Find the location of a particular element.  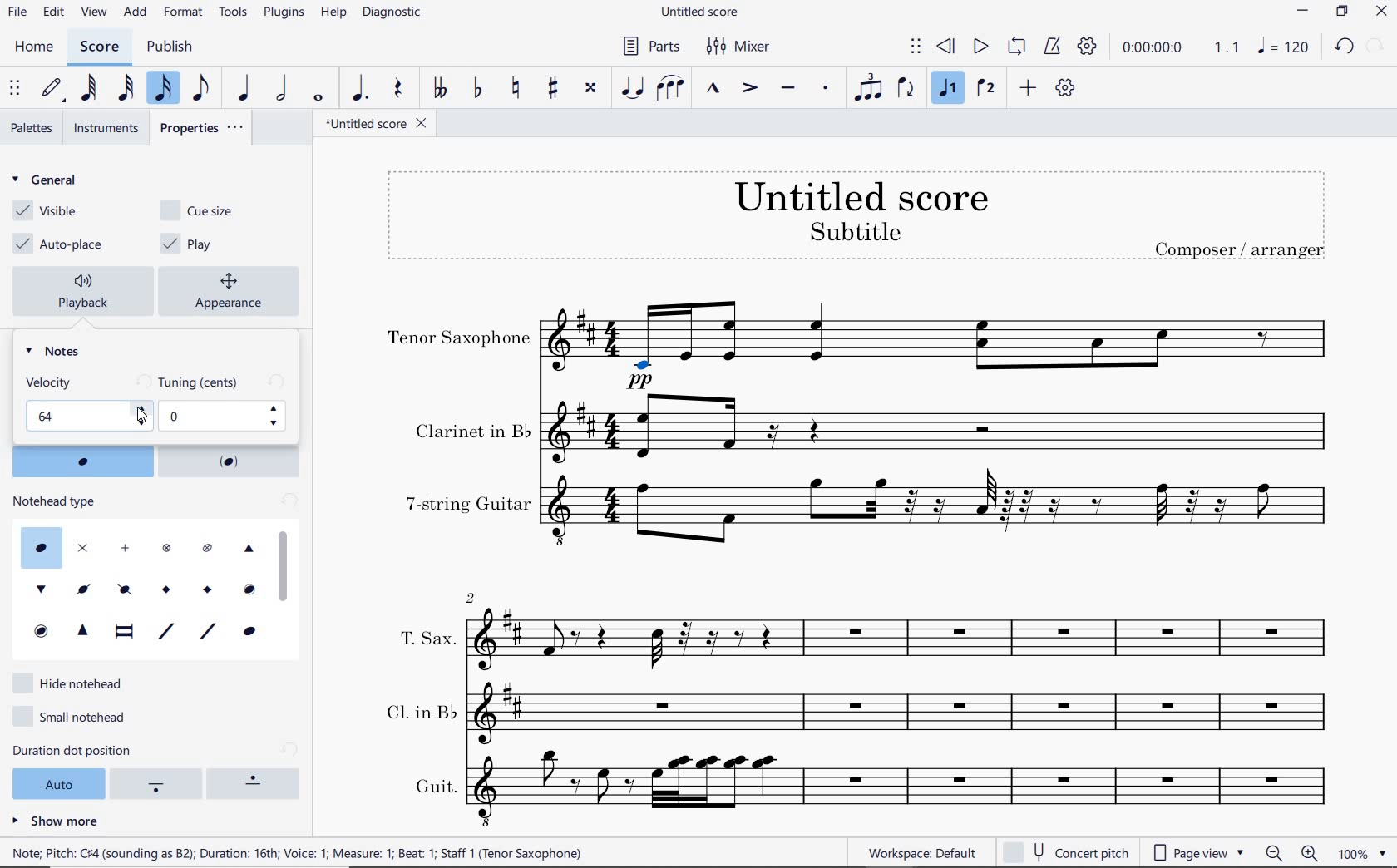

TENUTO is located at coordinates (787, 89).